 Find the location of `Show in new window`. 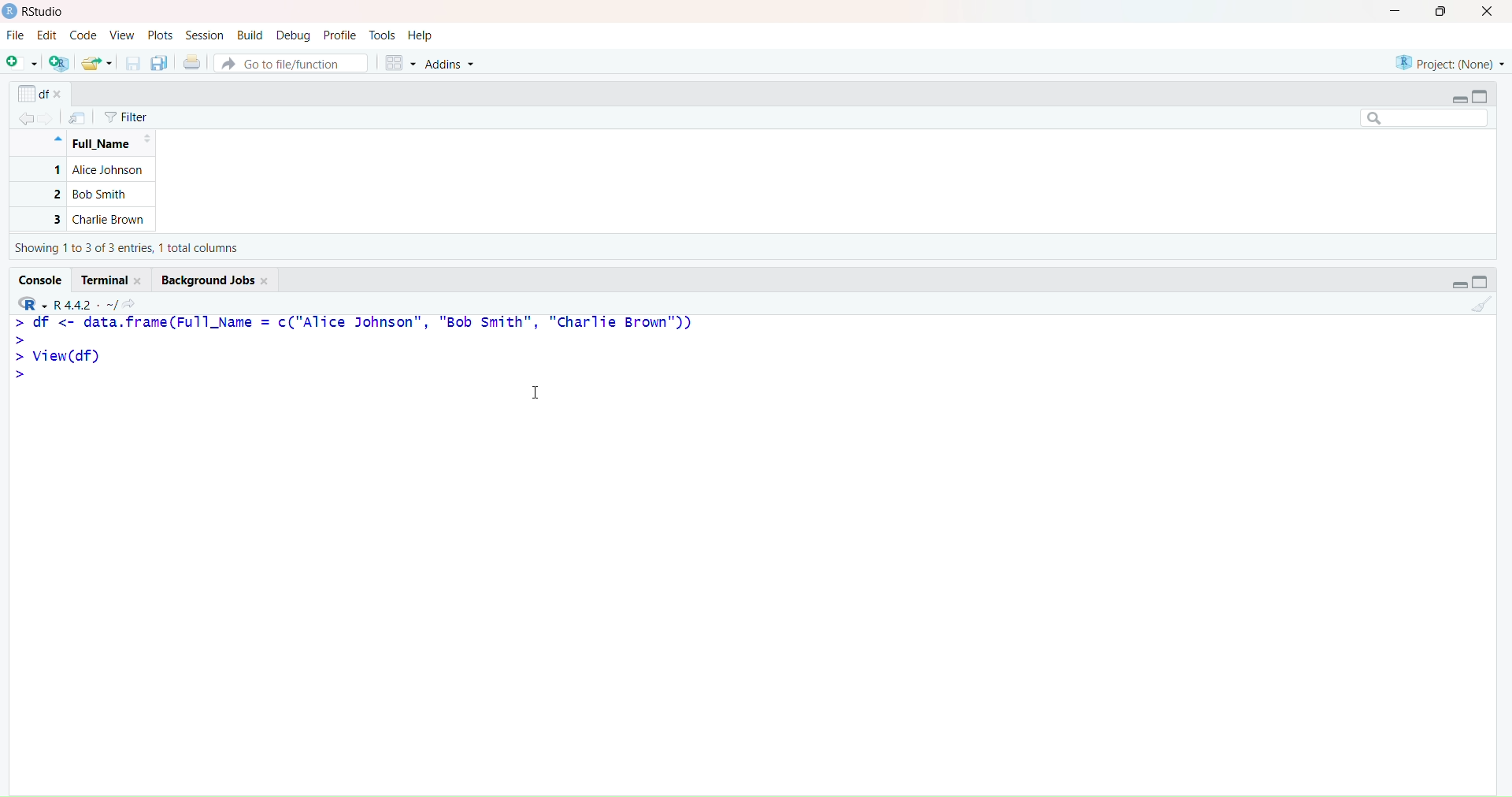

Show in new window is located at coordinates (77, 118).